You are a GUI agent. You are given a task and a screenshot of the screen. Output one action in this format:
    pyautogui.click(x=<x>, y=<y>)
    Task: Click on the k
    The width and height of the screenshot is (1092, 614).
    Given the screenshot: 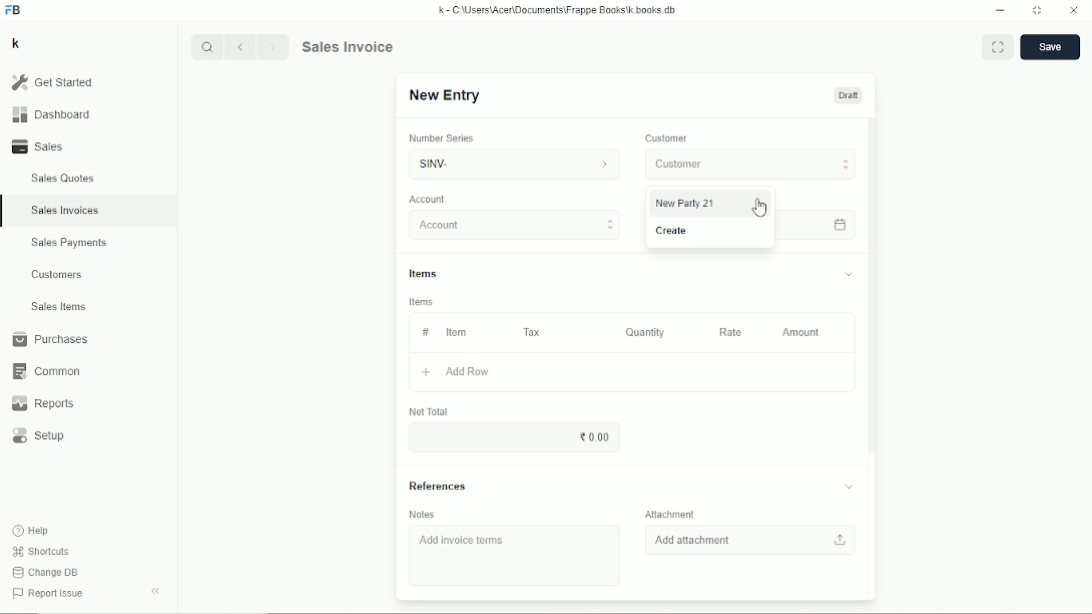 What is the action you would take?
    pyautogui.click(x=15, y=43)
    